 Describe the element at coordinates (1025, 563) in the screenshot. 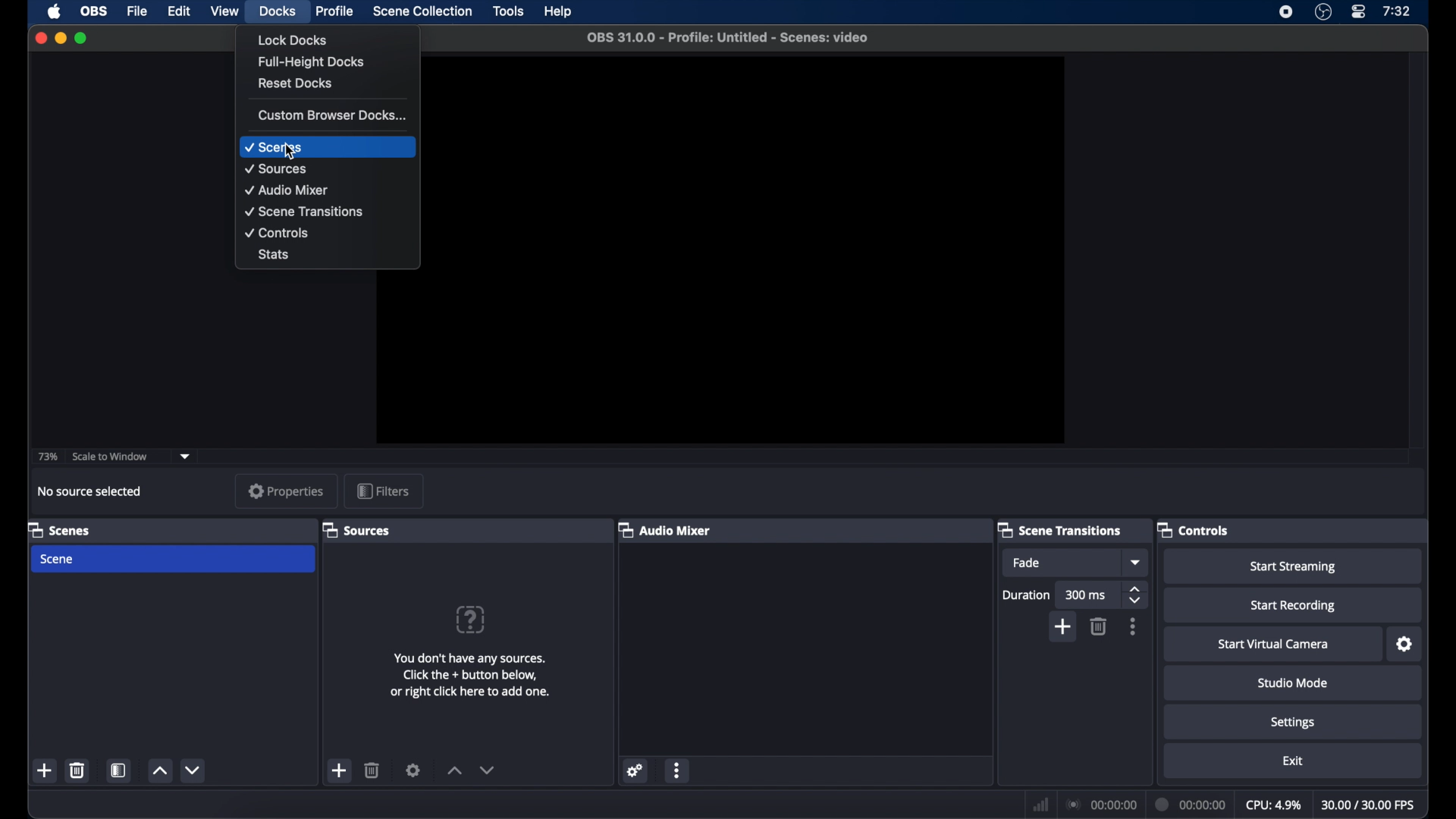

I see `fade` at that location.